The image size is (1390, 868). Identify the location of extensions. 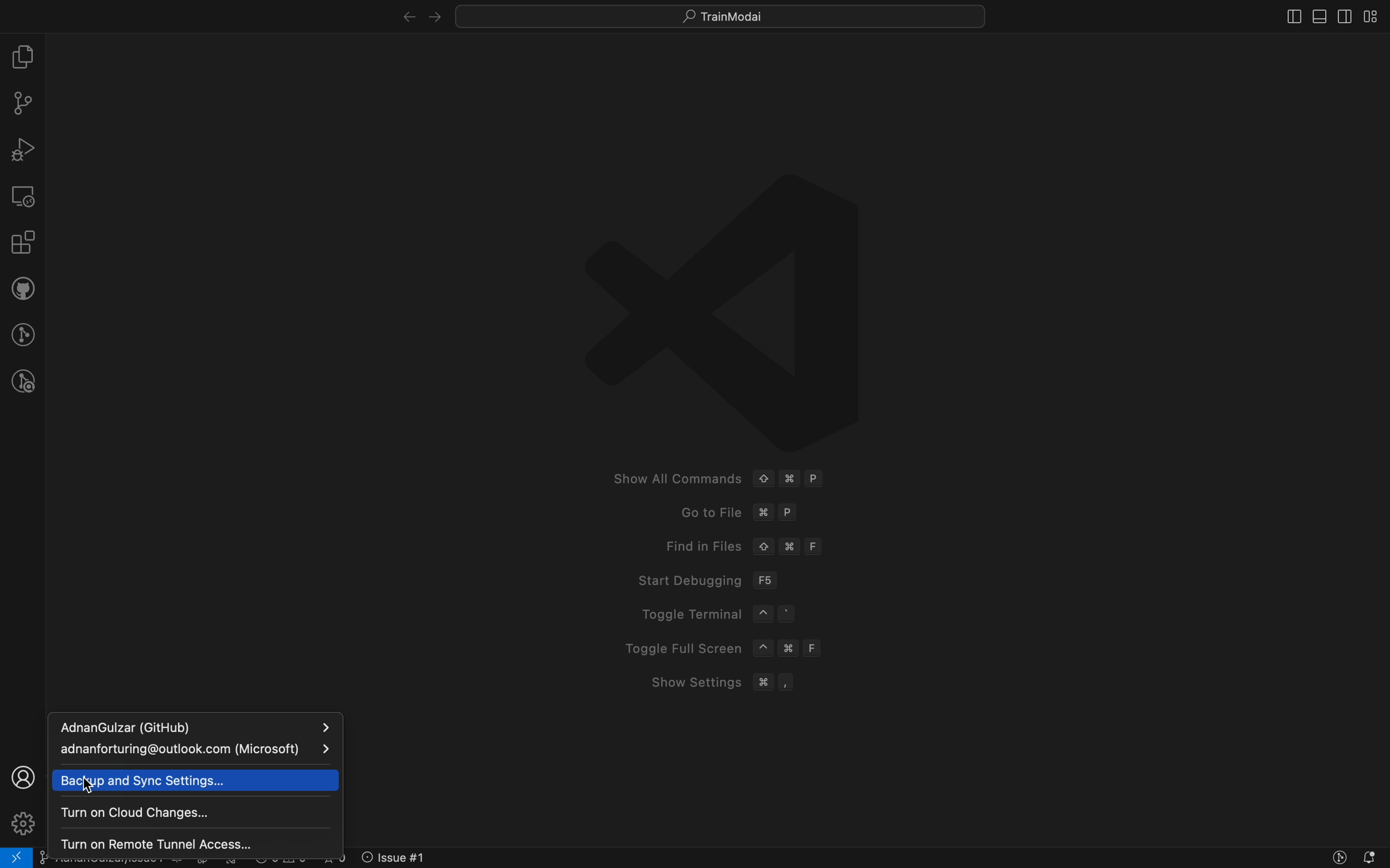
(21, 243).